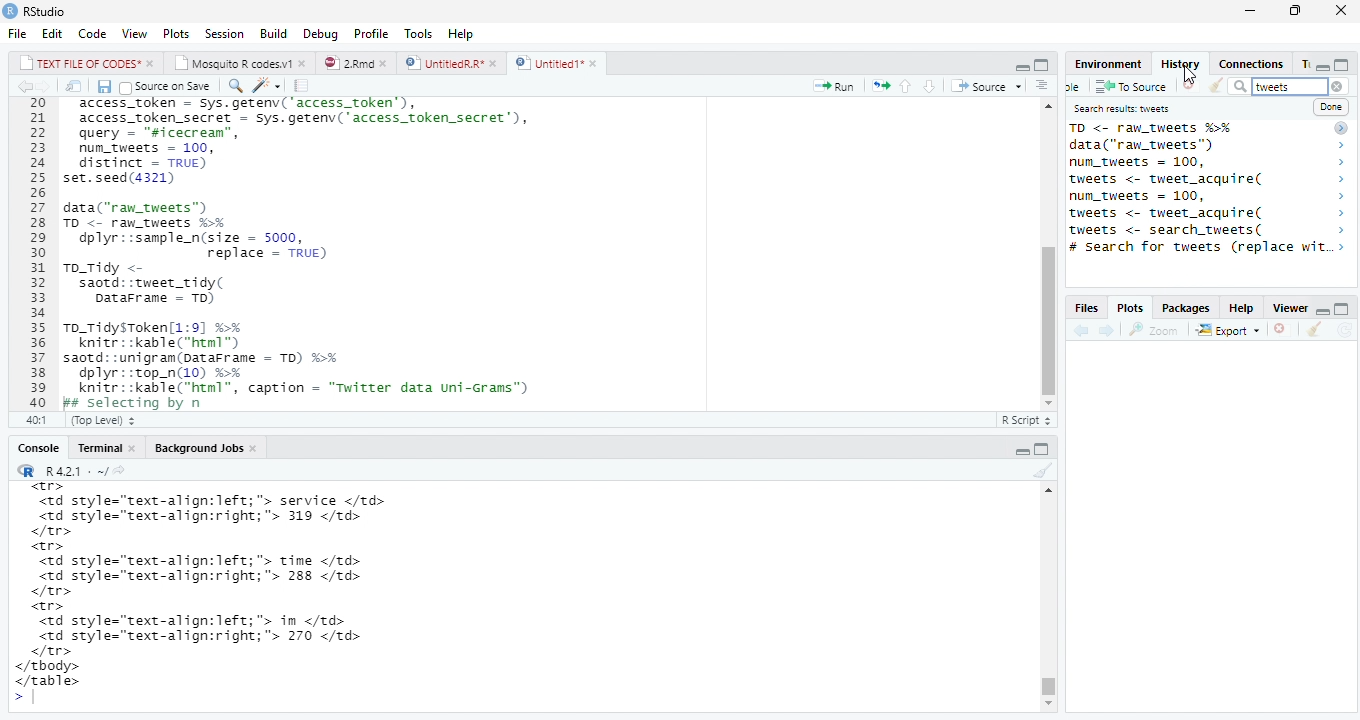 The height and width of the screenshot is (720, 1360). I want to click on scrollbar, so click(1351, 203).